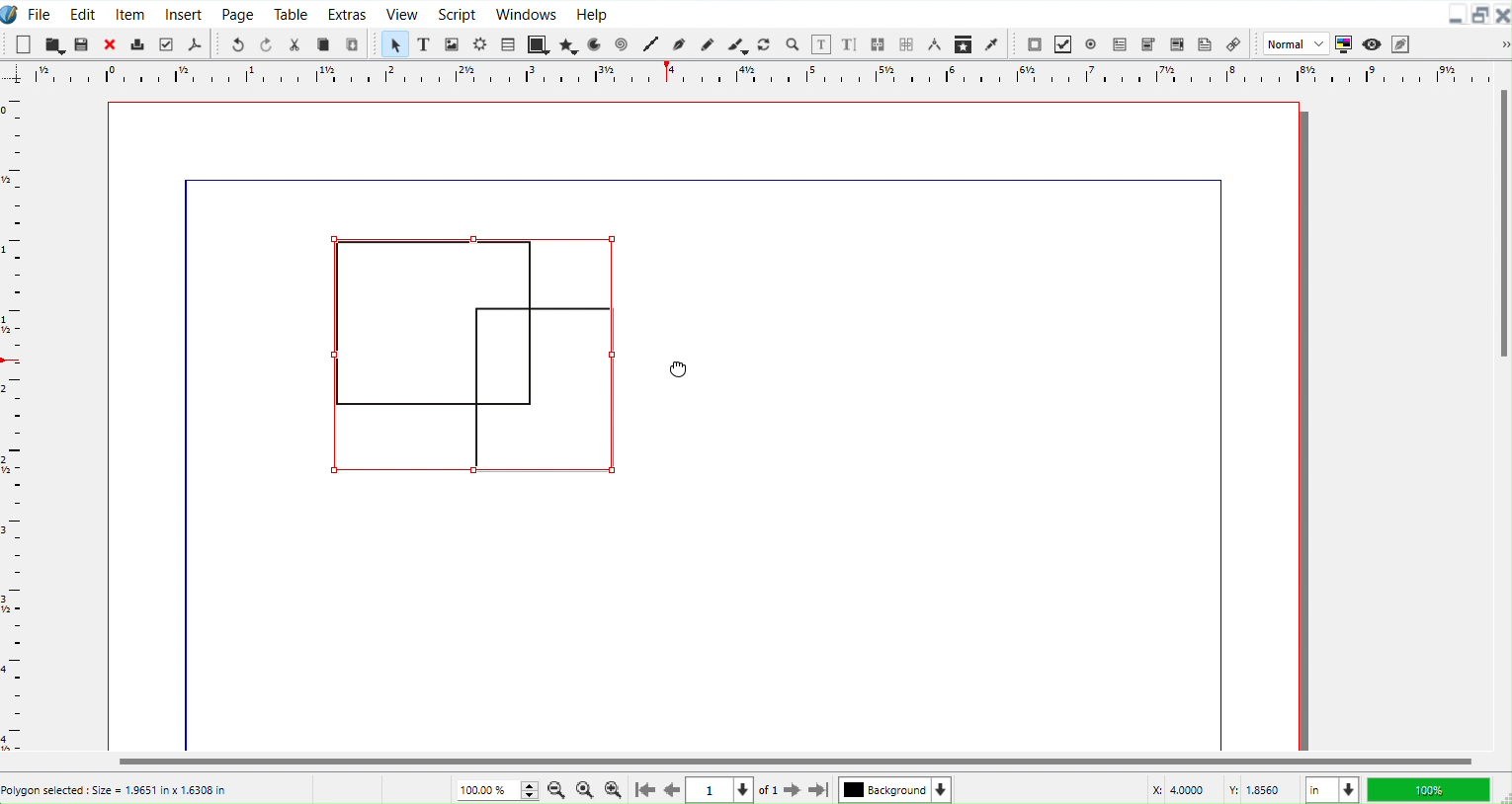 This screenshot has height=804, width=1512. What do you see at coordinates (191, 470) in the screenshot?
I see `line` at bounding box center [191, 470].